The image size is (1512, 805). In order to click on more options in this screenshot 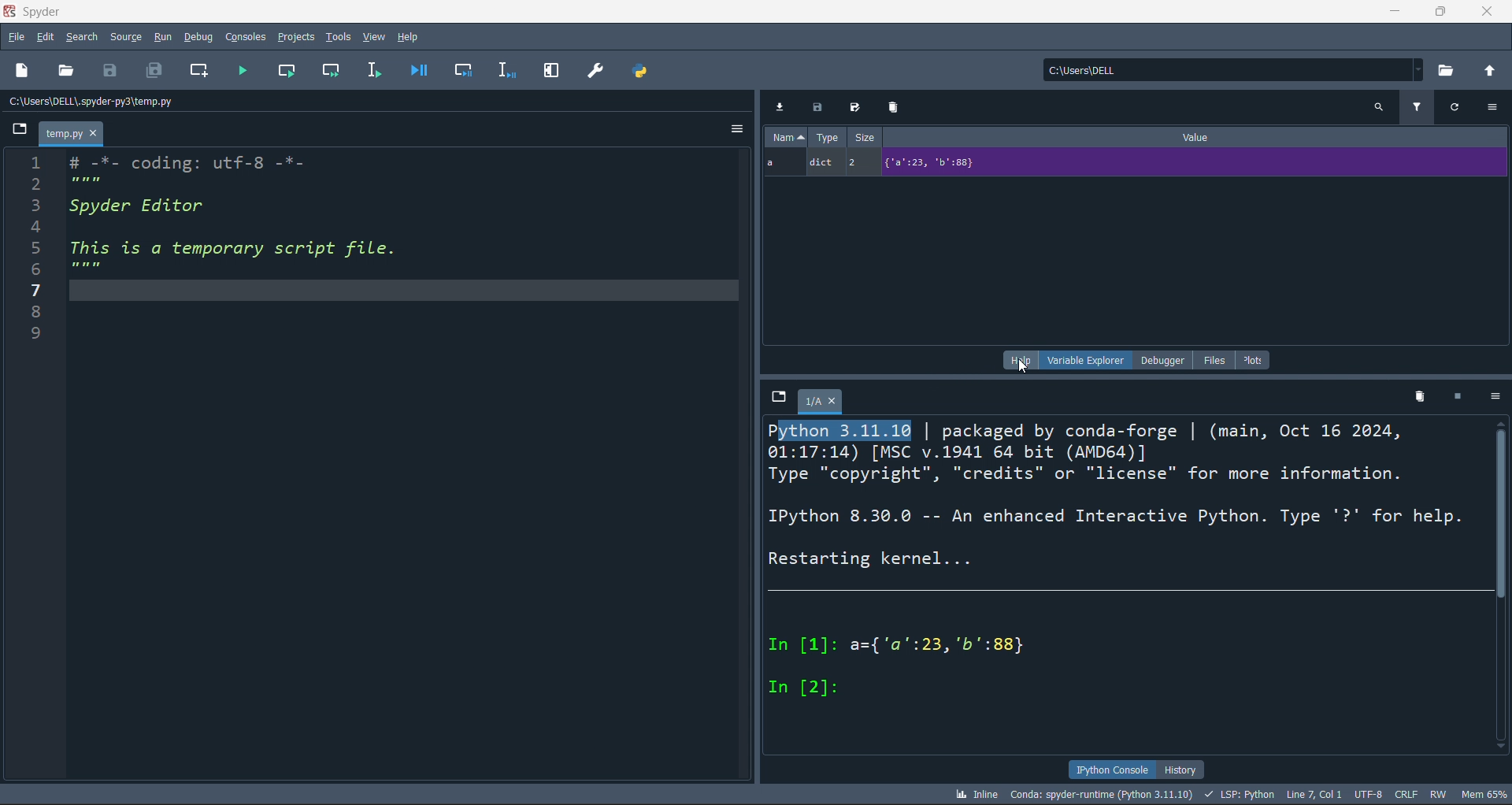, I will do `click(1493, 110)`.